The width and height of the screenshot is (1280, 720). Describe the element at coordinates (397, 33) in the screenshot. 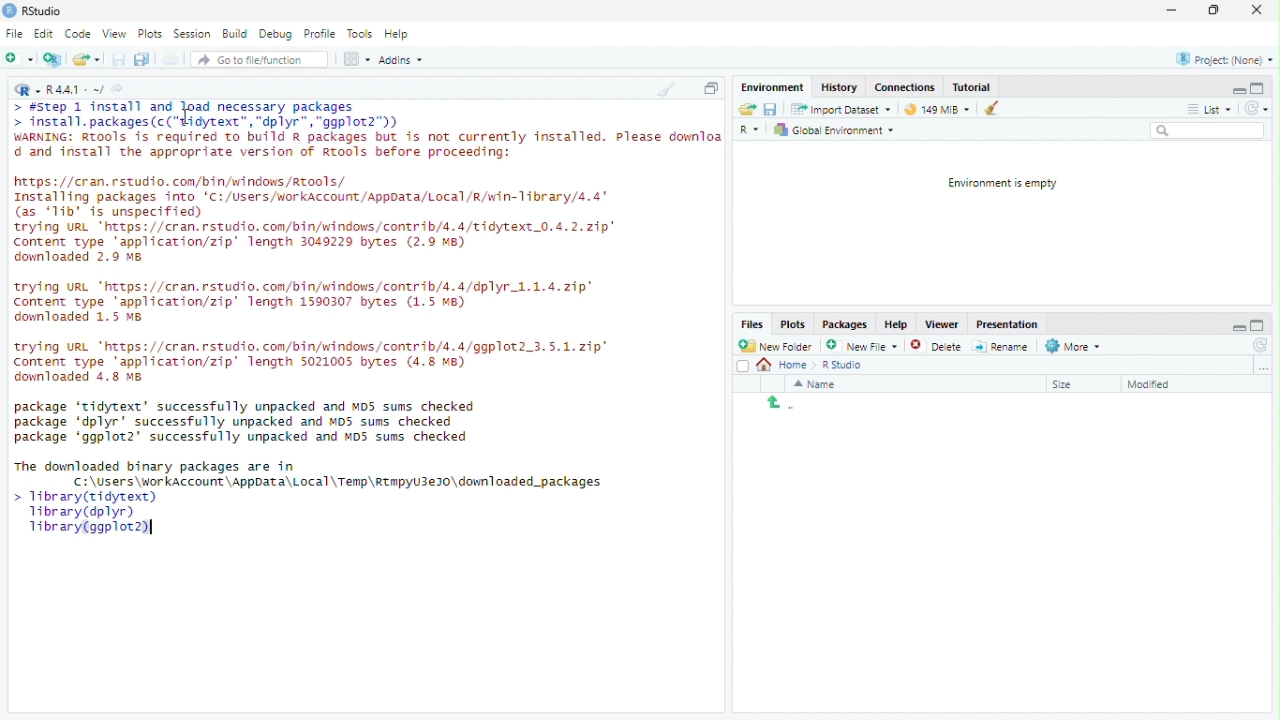

I see `Help` at that location.